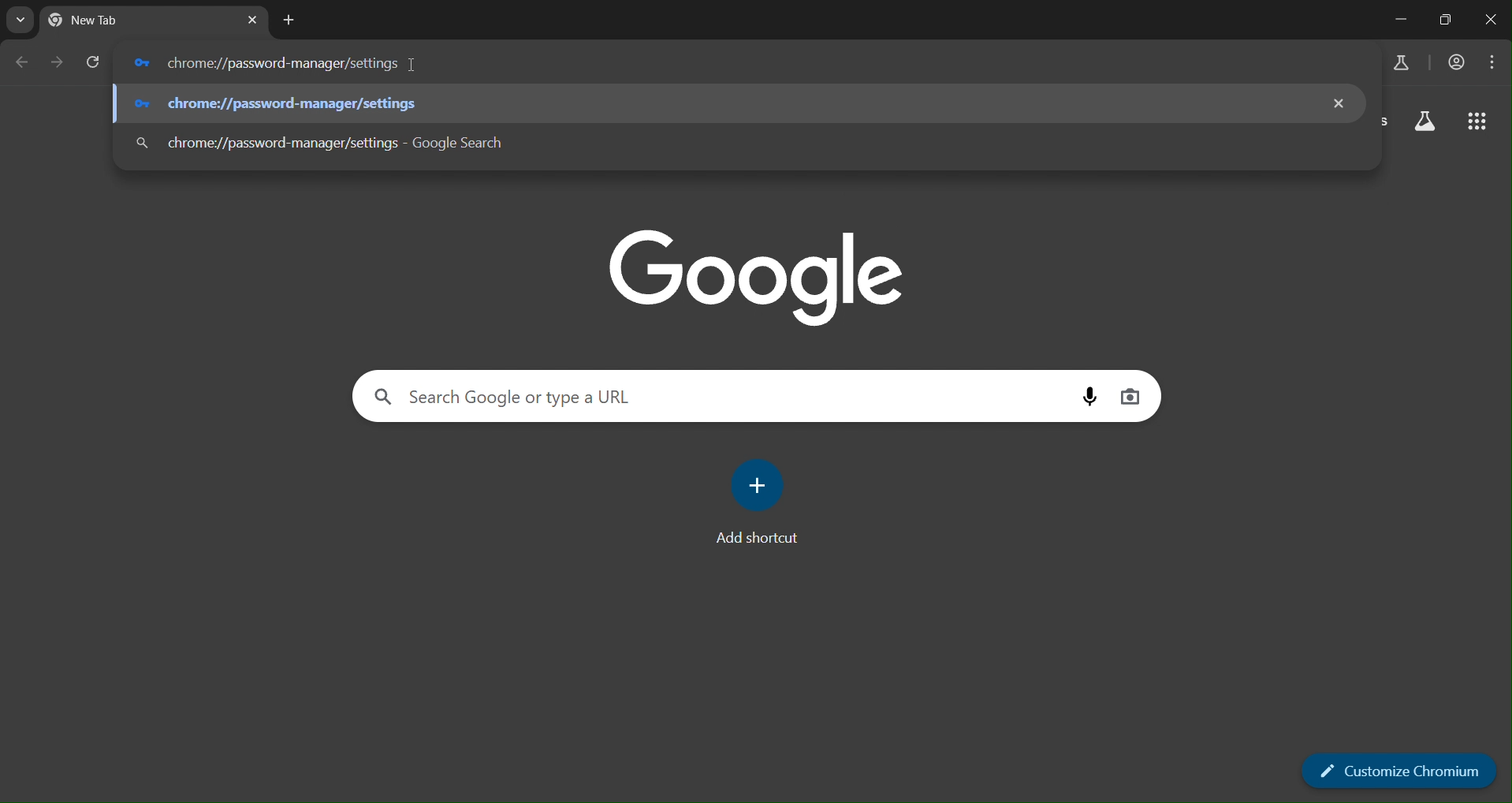  What do you see at coordinates (1130, 395) in the screenshot?
I see `image search` at bounding box center [1130, 395].